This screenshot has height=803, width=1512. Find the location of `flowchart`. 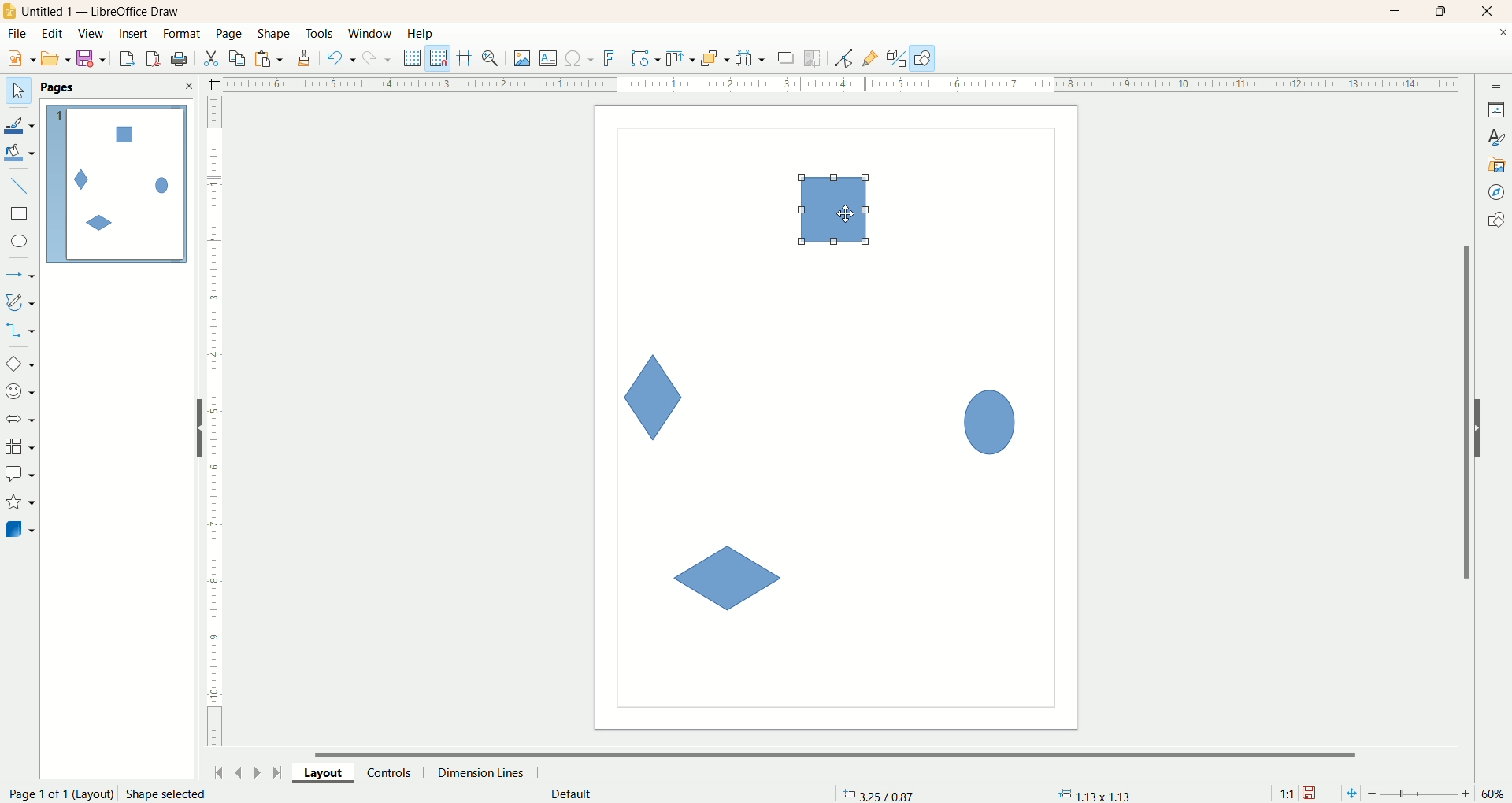

flowchart is located at coordinates (20, 447).